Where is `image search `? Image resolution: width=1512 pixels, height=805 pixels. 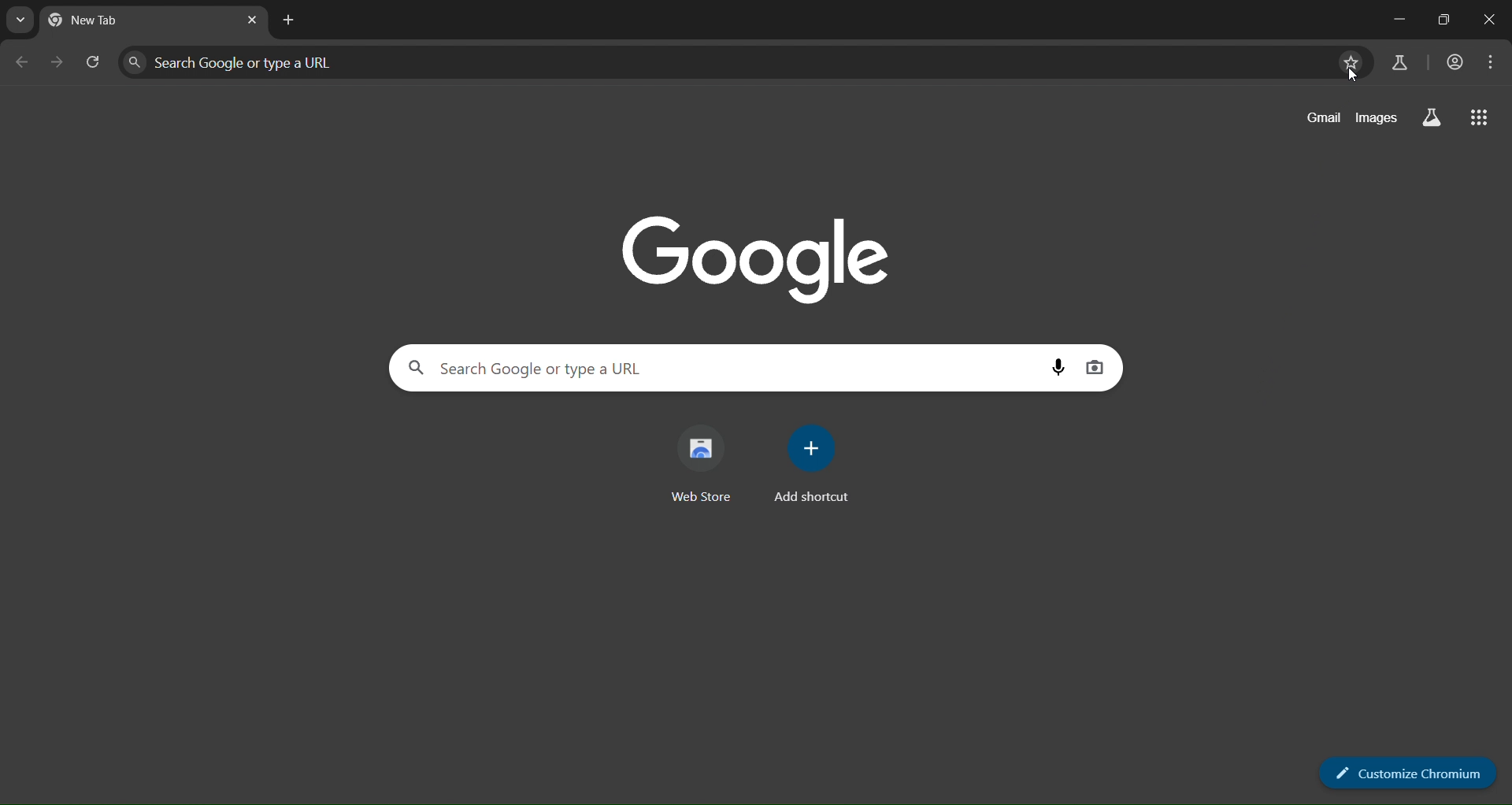 image search  is located at coordinates (1094, 365).